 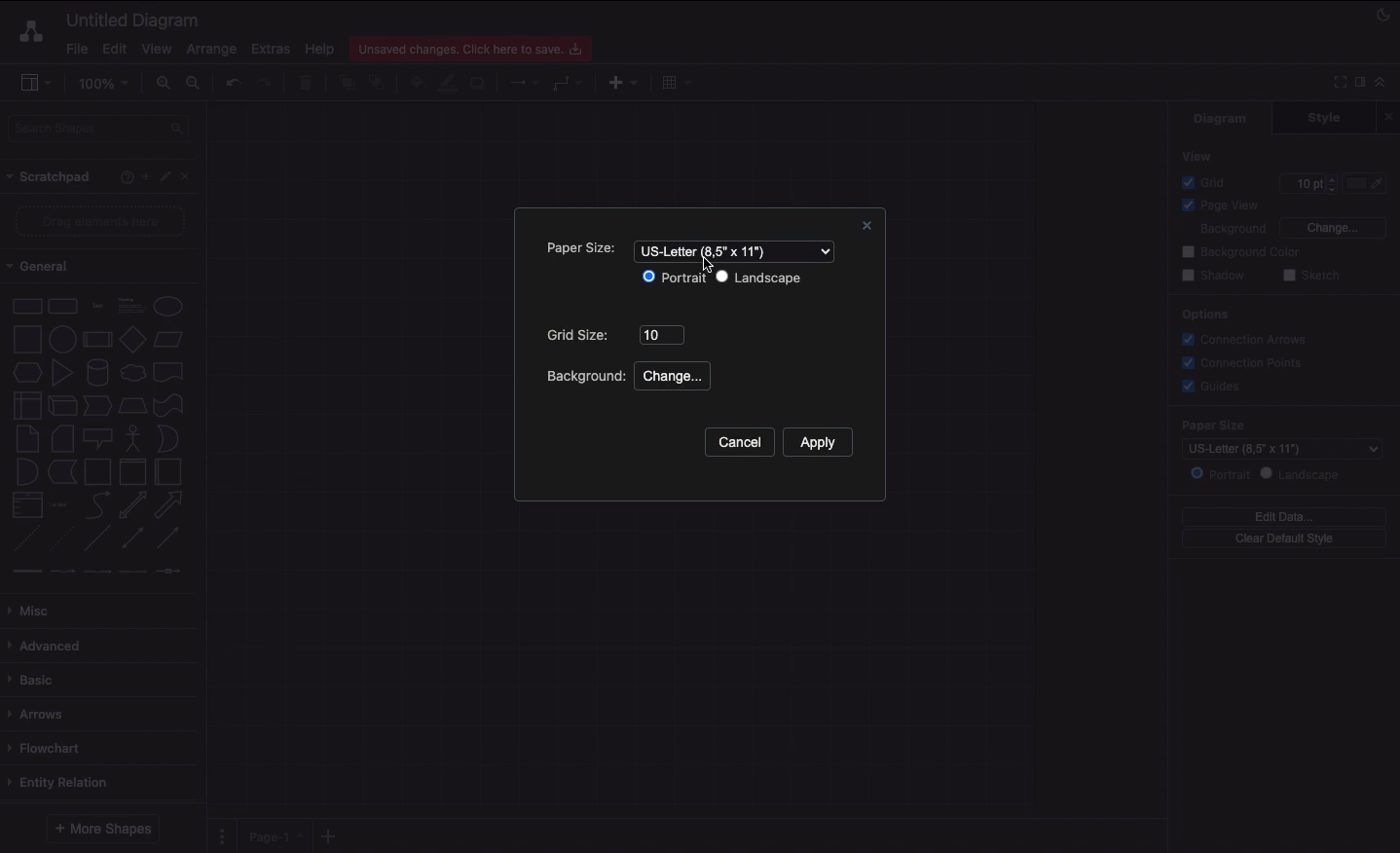 What do you see at coordinates (62, 372) in the screenshot?
I see `Triangle` at bounding box center [62, 372].